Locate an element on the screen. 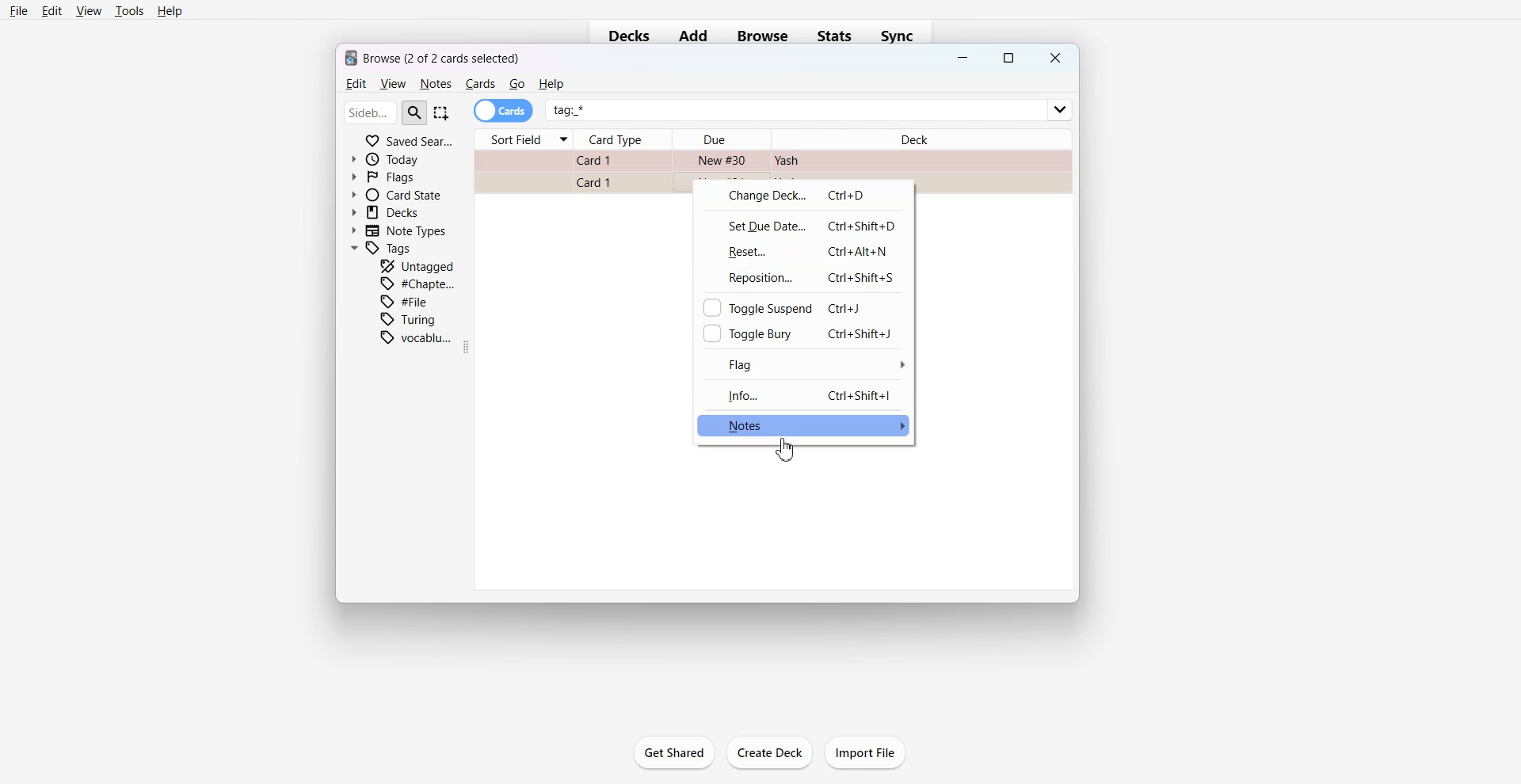  Toggle Bury is located at coordinates (802, 333).